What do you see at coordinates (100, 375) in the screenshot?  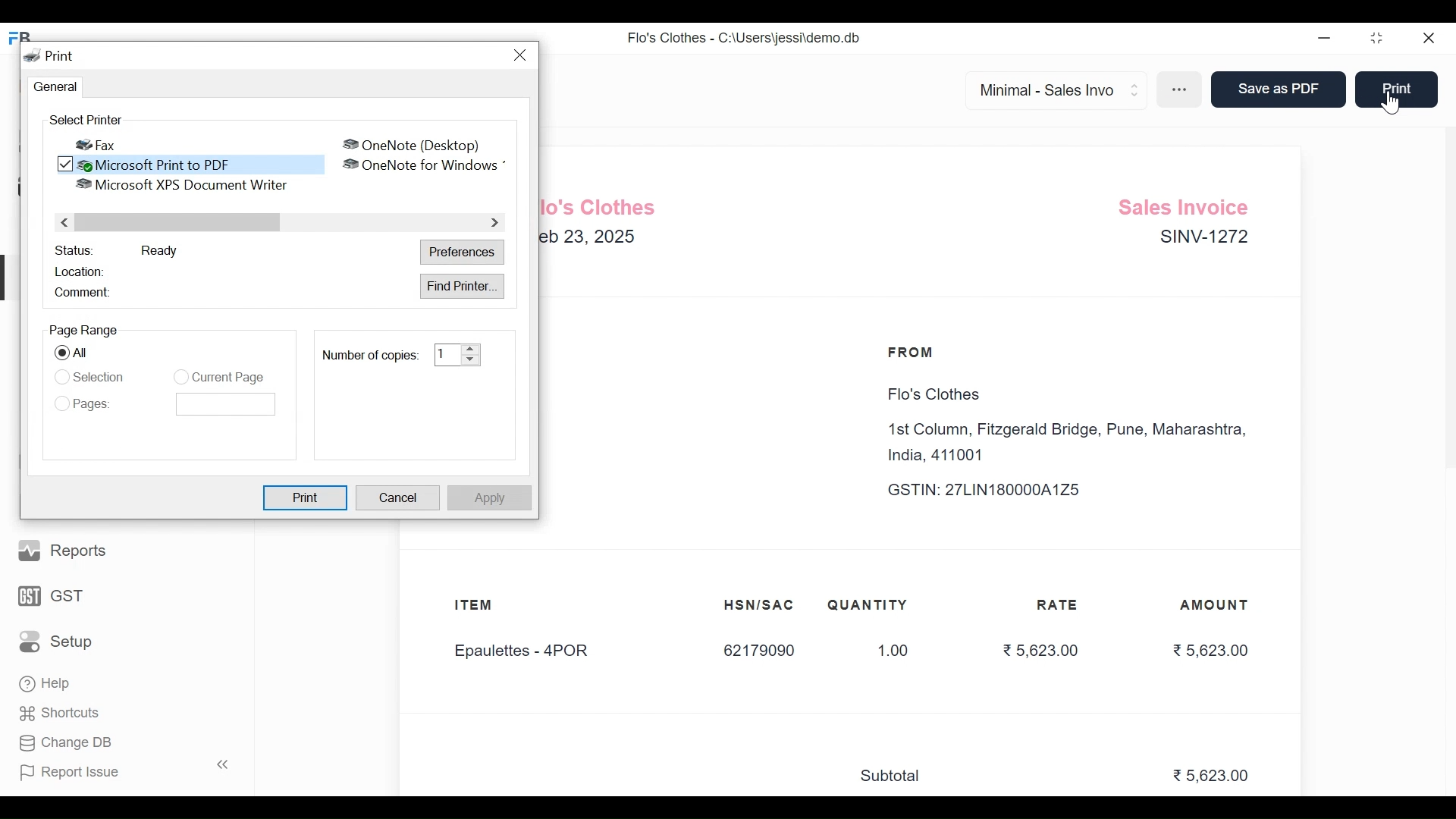 I see `Selection` at bounding box center [100, 375].